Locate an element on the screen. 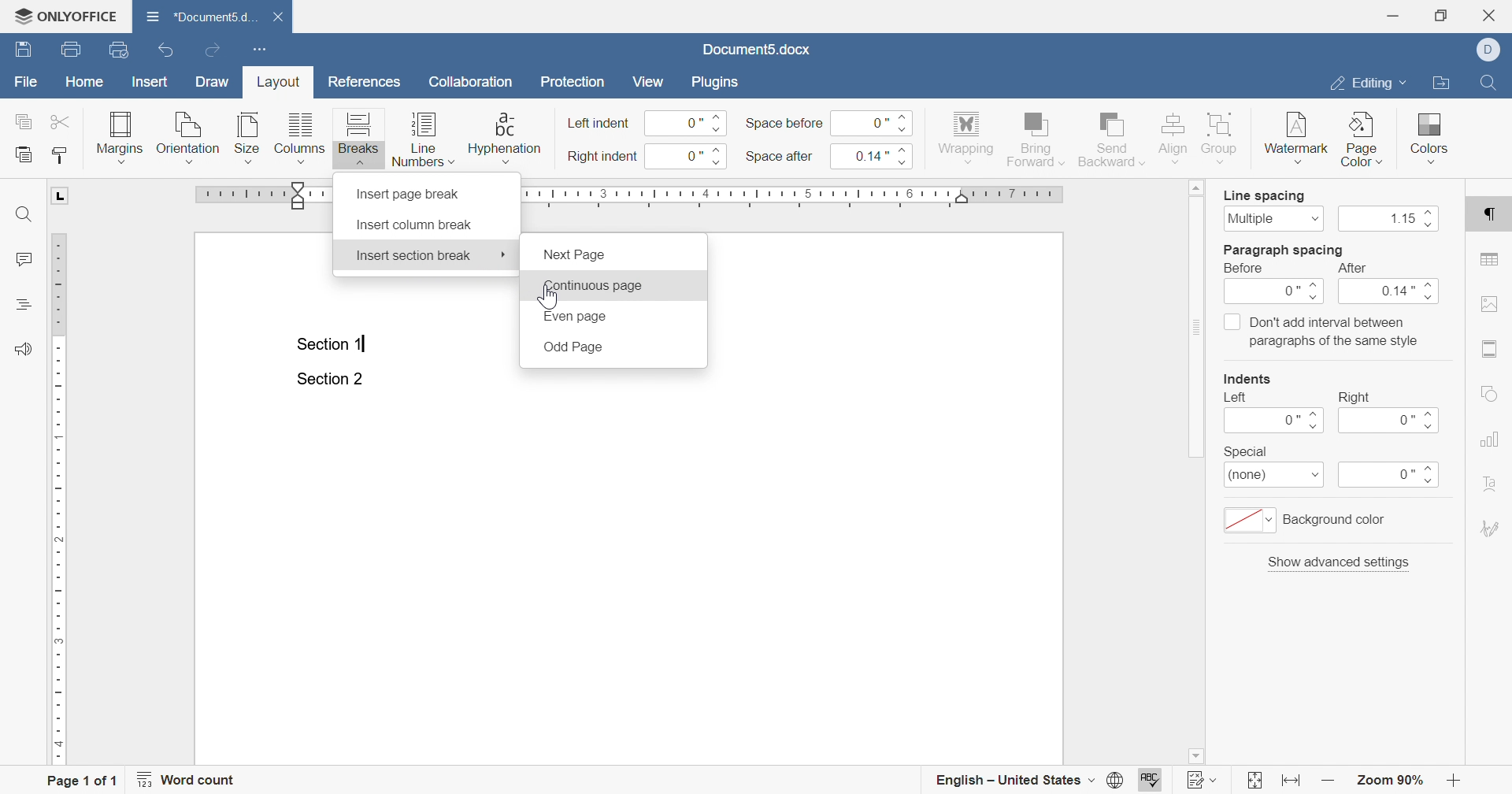 The image size is (1512, 794). copy is located at coordinates (21, 121).